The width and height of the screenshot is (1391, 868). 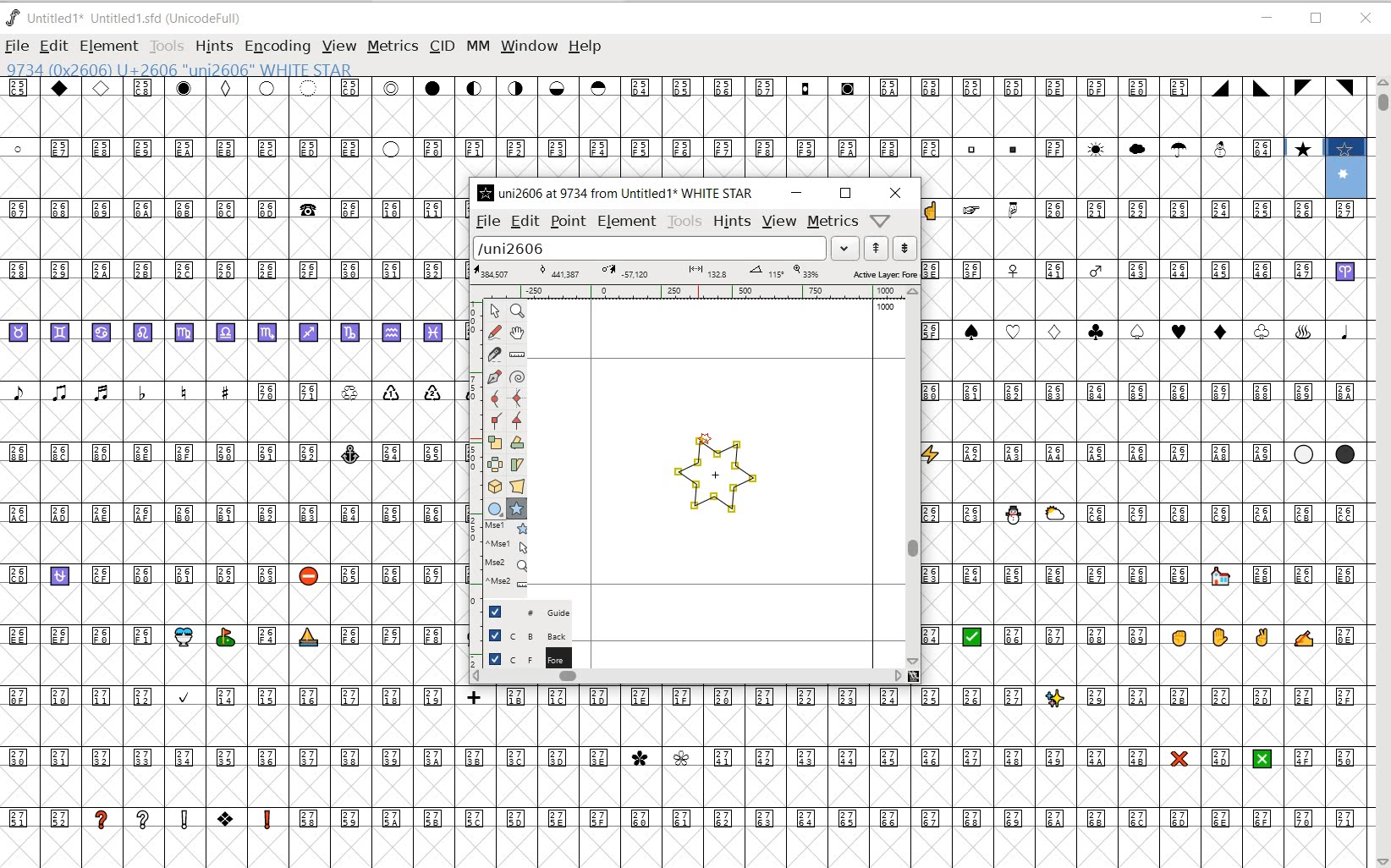 I want to click on ELEMENT, so click(x=109, y=46).